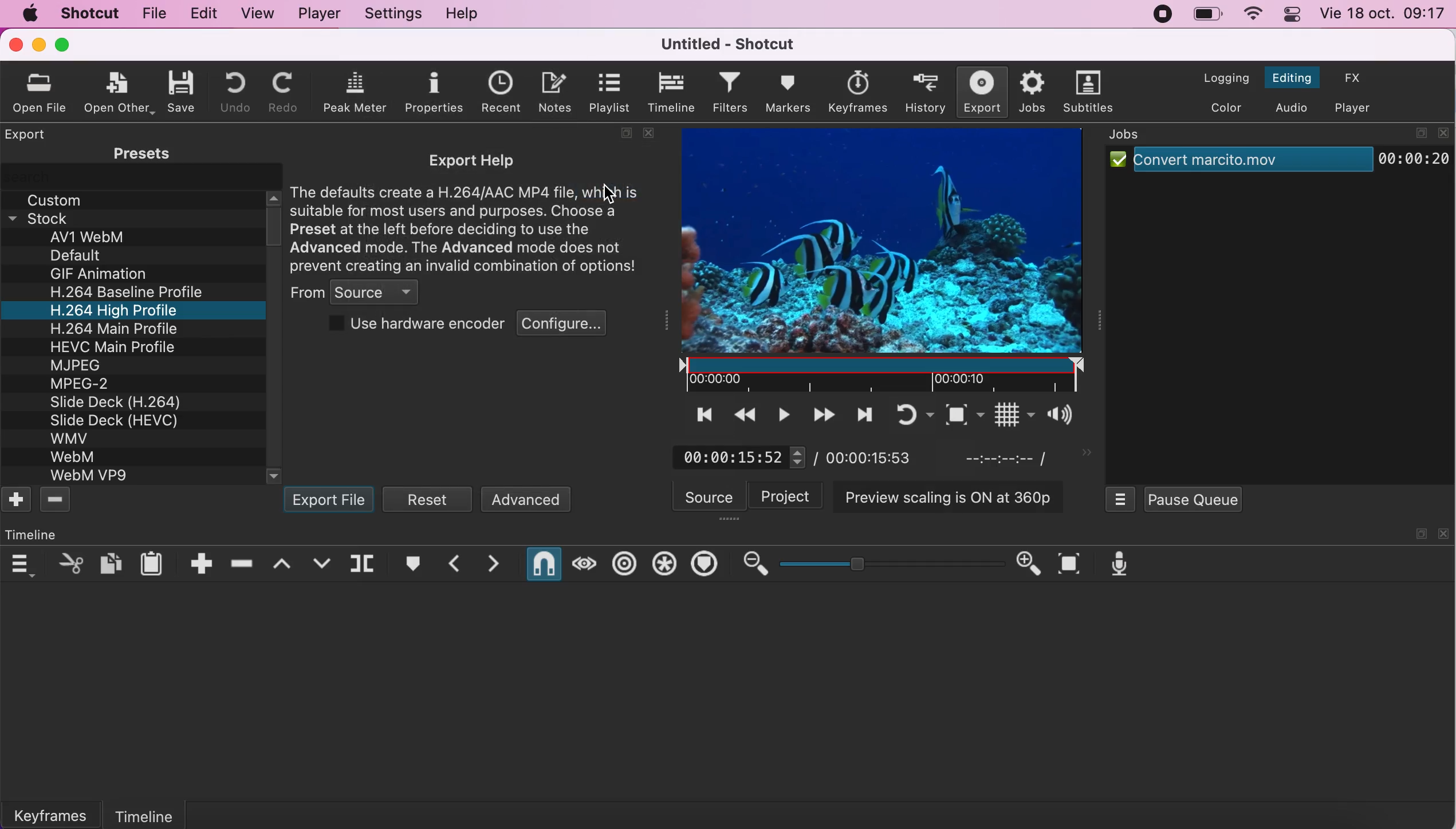 The height and width of the screenshot is (829, 1456). What do you see at coordinates (244, 563) in the screenshot?
I see `ripple delete` at bounding box center [244, 563].